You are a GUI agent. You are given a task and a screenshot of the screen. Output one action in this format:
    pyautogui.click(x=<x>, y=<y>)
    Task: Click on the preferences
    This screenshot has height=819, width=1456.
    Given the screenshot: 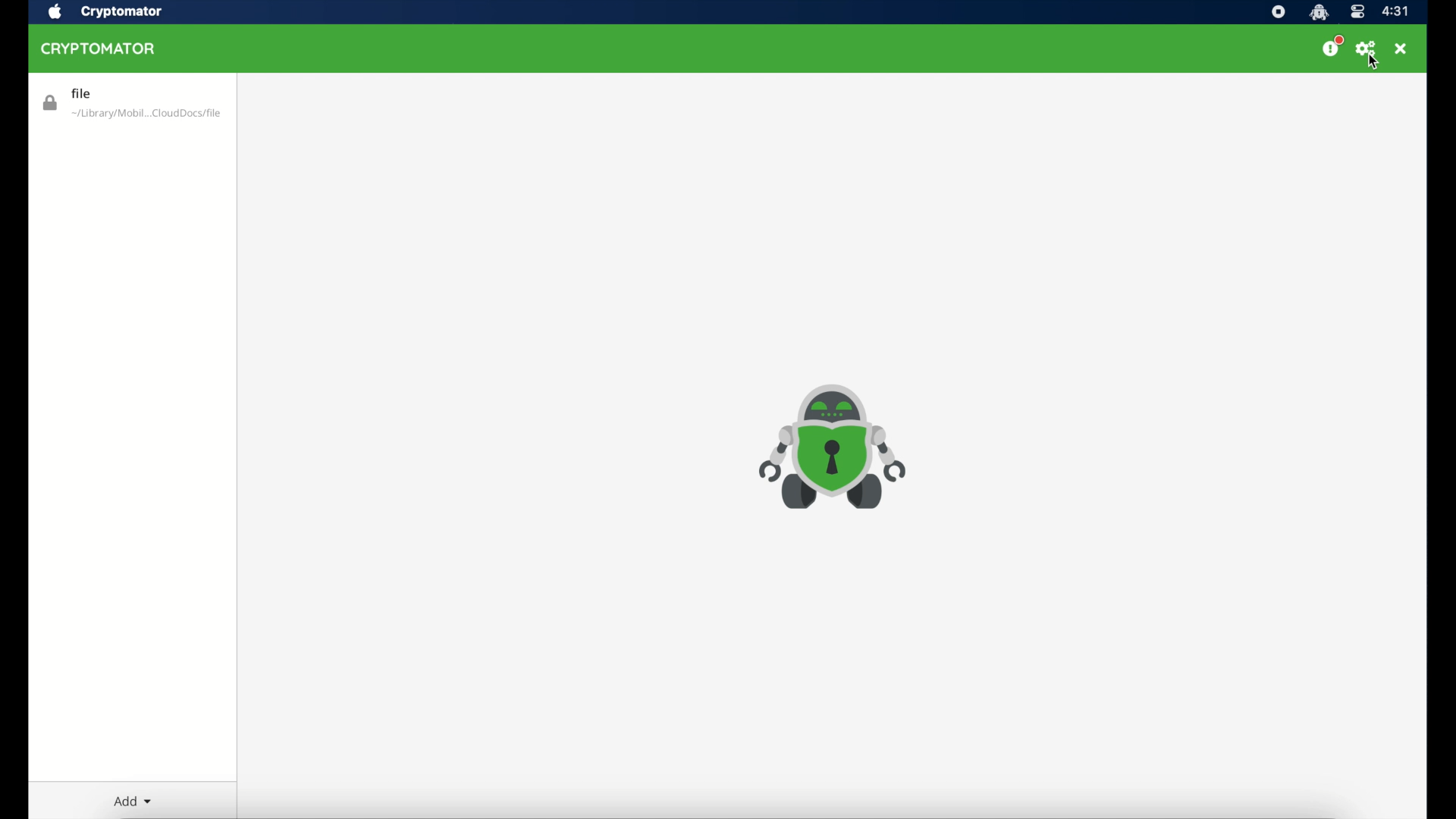 What is the action you would take?
    pyautogui.click(x=1367, y=49)
    